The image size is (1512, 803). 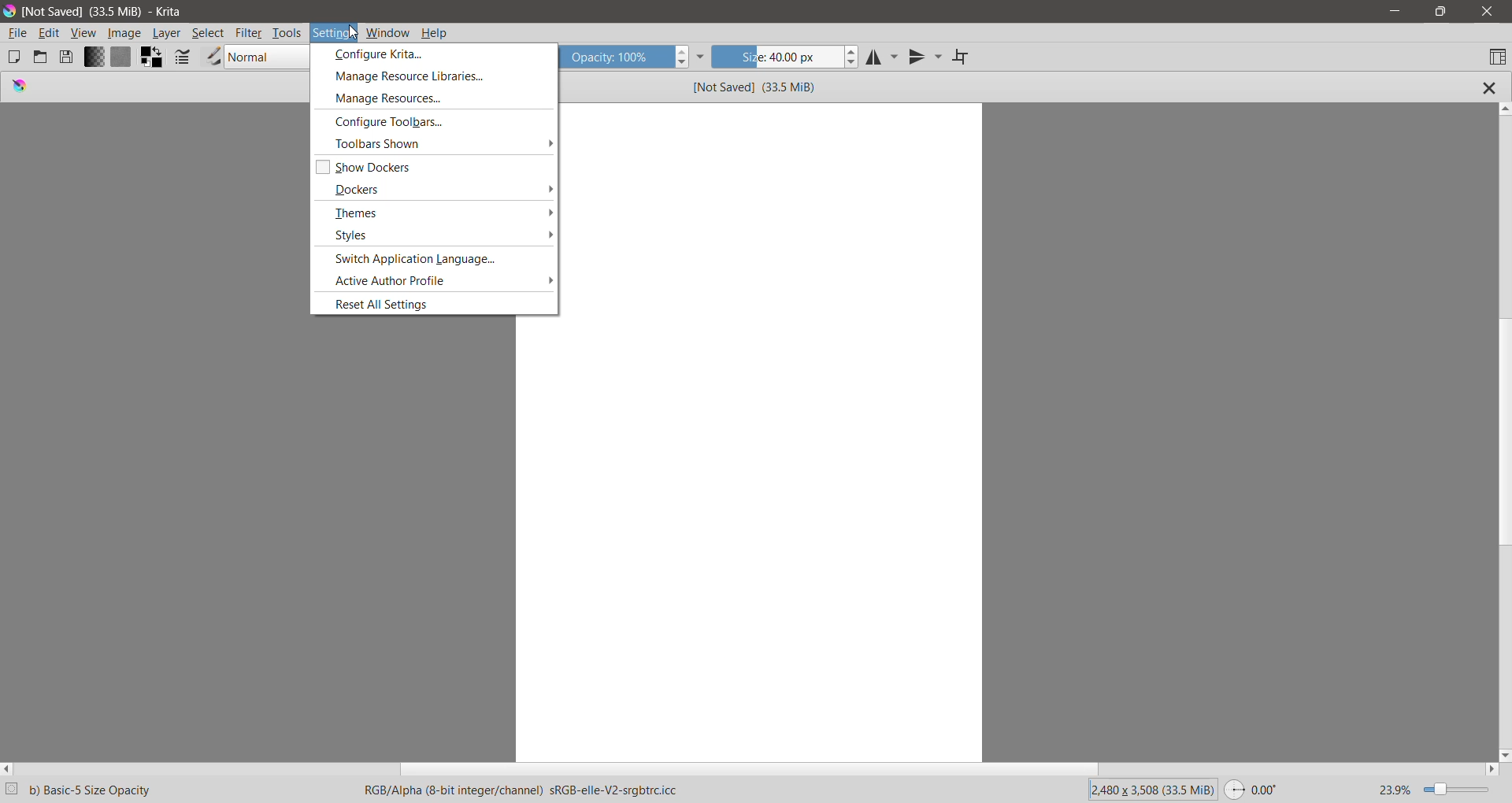 What do you see at coordinates (439, 281) in the screenshot?
I see `Active Author Profile` at bounding box center [439, 281].